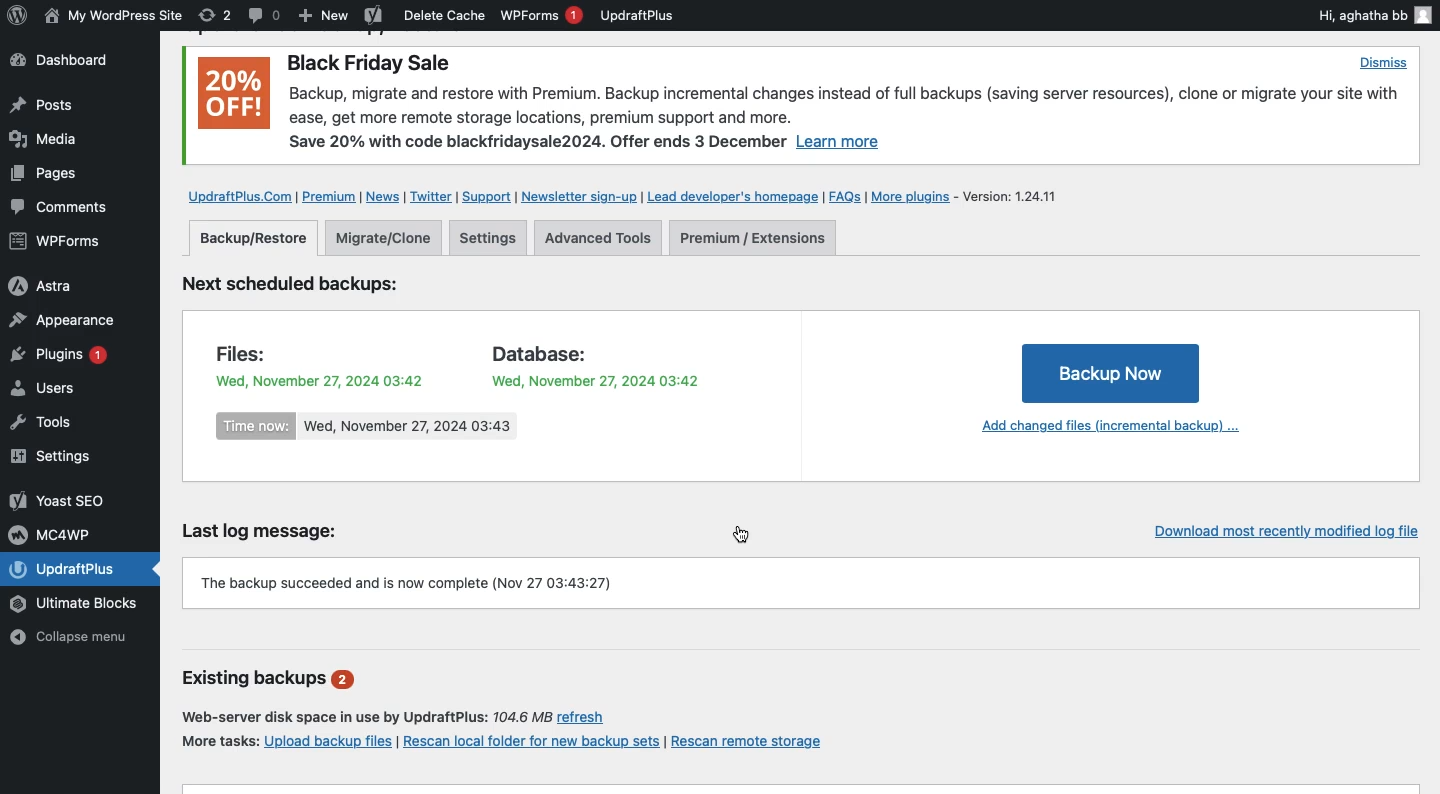 The image size is (1440, 794). Describe the element at coordinates (593, 379) in the screenshot. I see `Wed, November 27, 2024 03:42` at that location.